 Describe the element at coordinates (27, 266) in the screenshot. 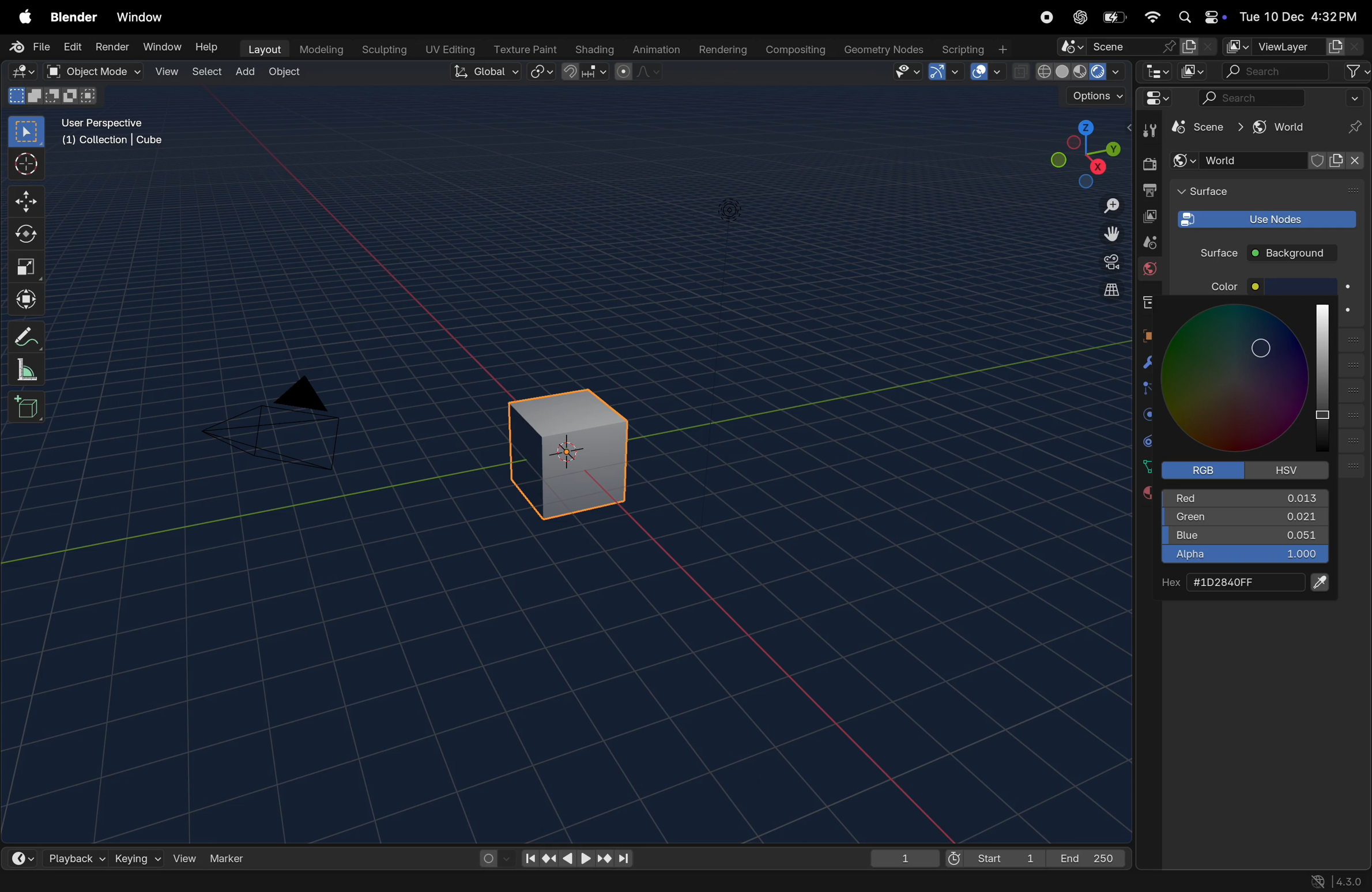

I see `shape` at that location.